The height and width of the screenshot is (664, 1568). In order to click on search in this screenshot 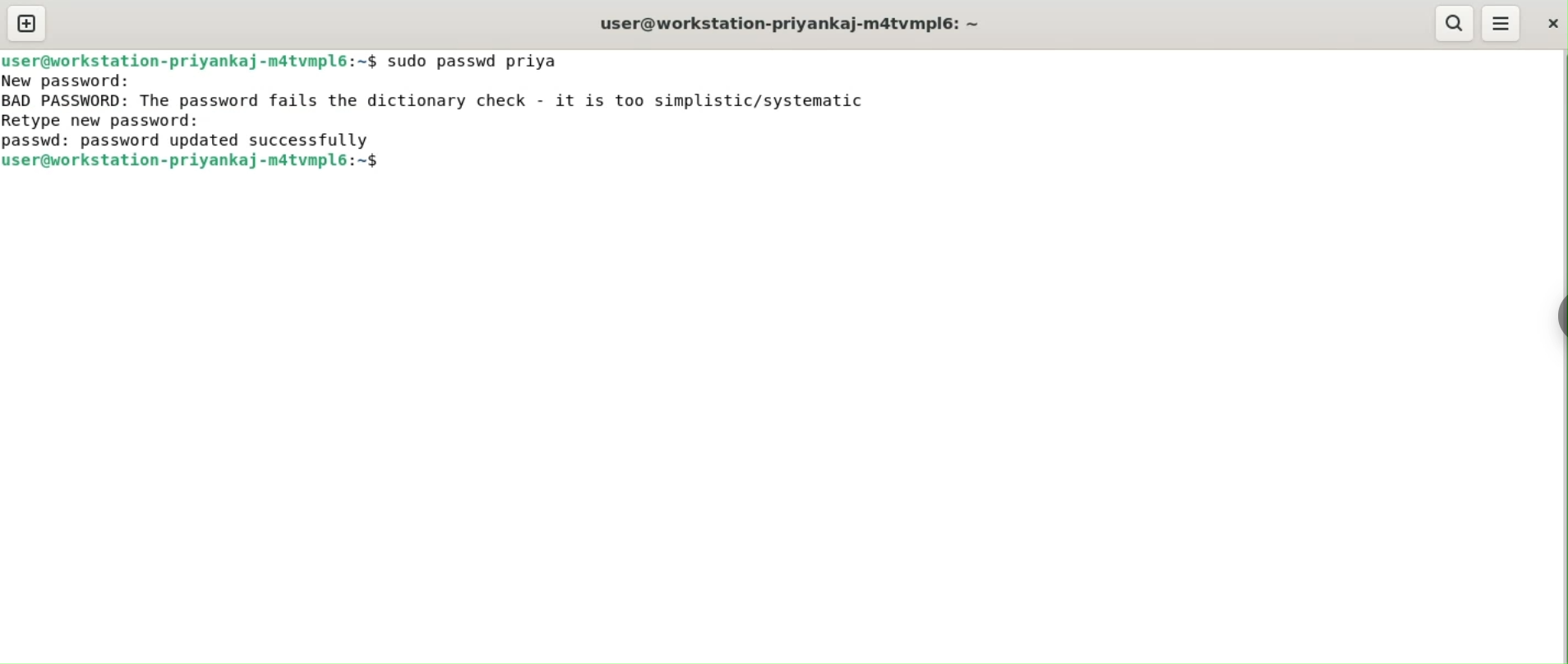, I will do `click(1454, 24)`.